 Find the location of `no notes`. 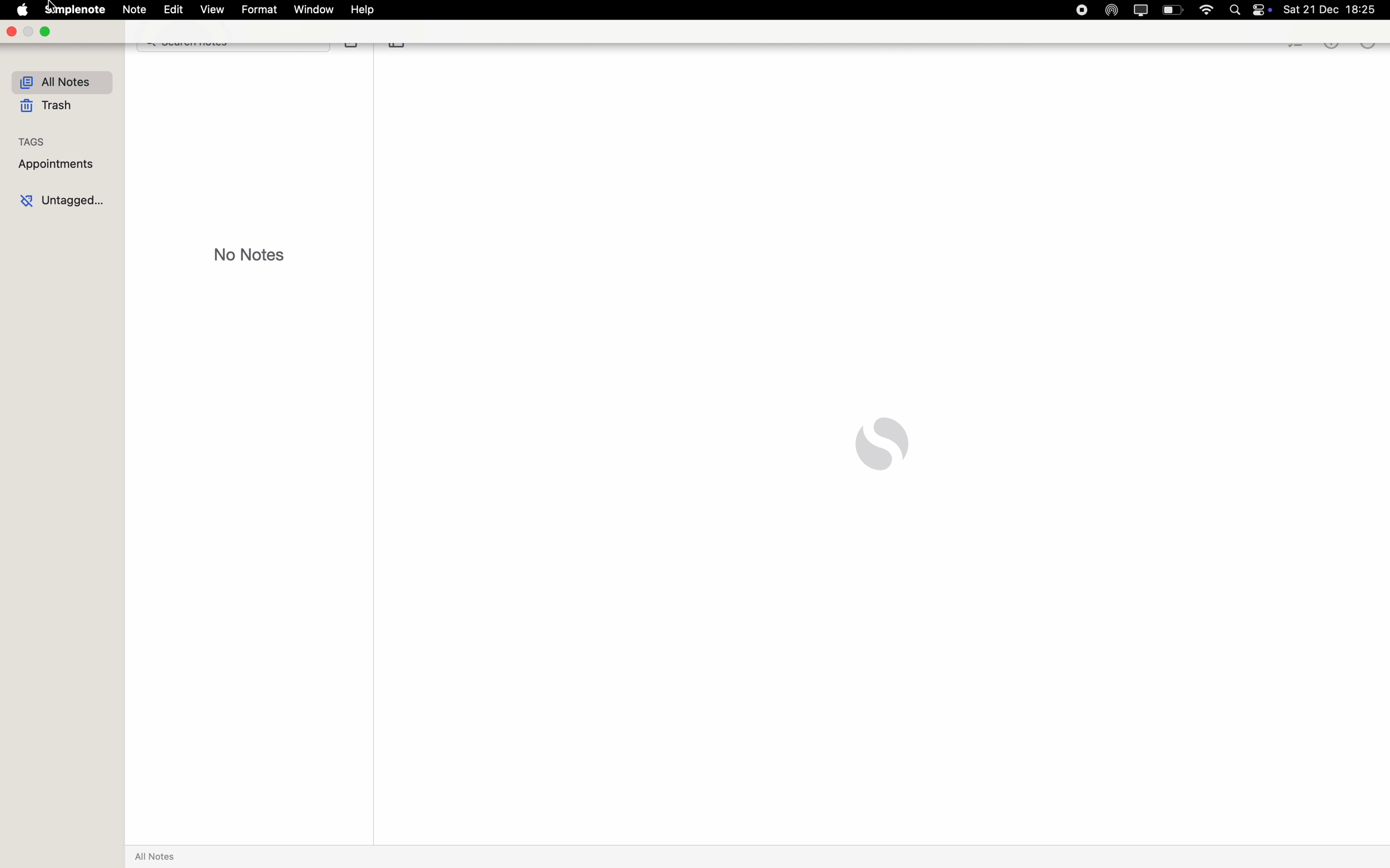

no notes is located at coordinates (248, 255).